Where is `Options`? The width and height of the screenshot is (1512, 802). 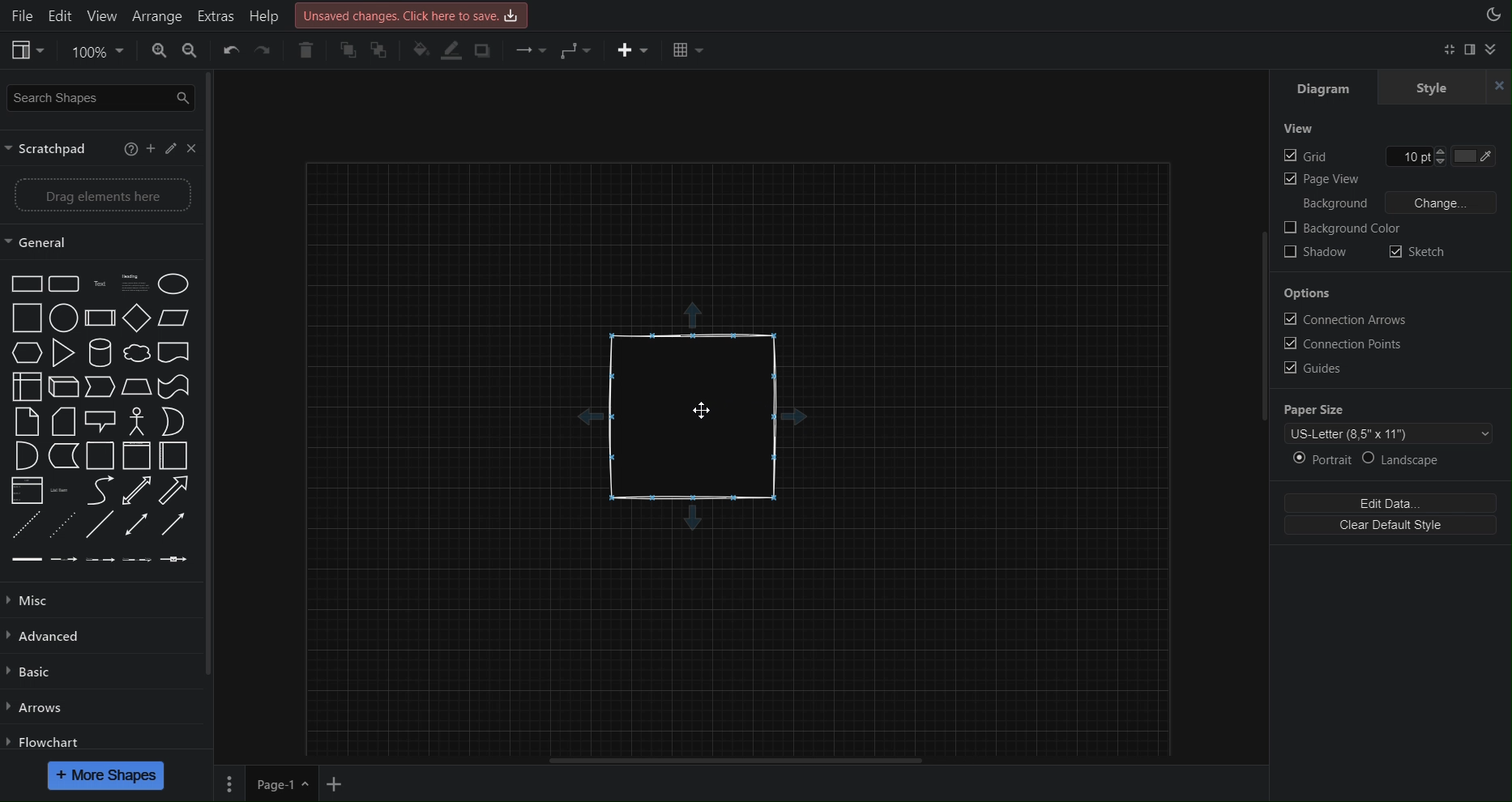 Options is located at coordinates (1309, 293).